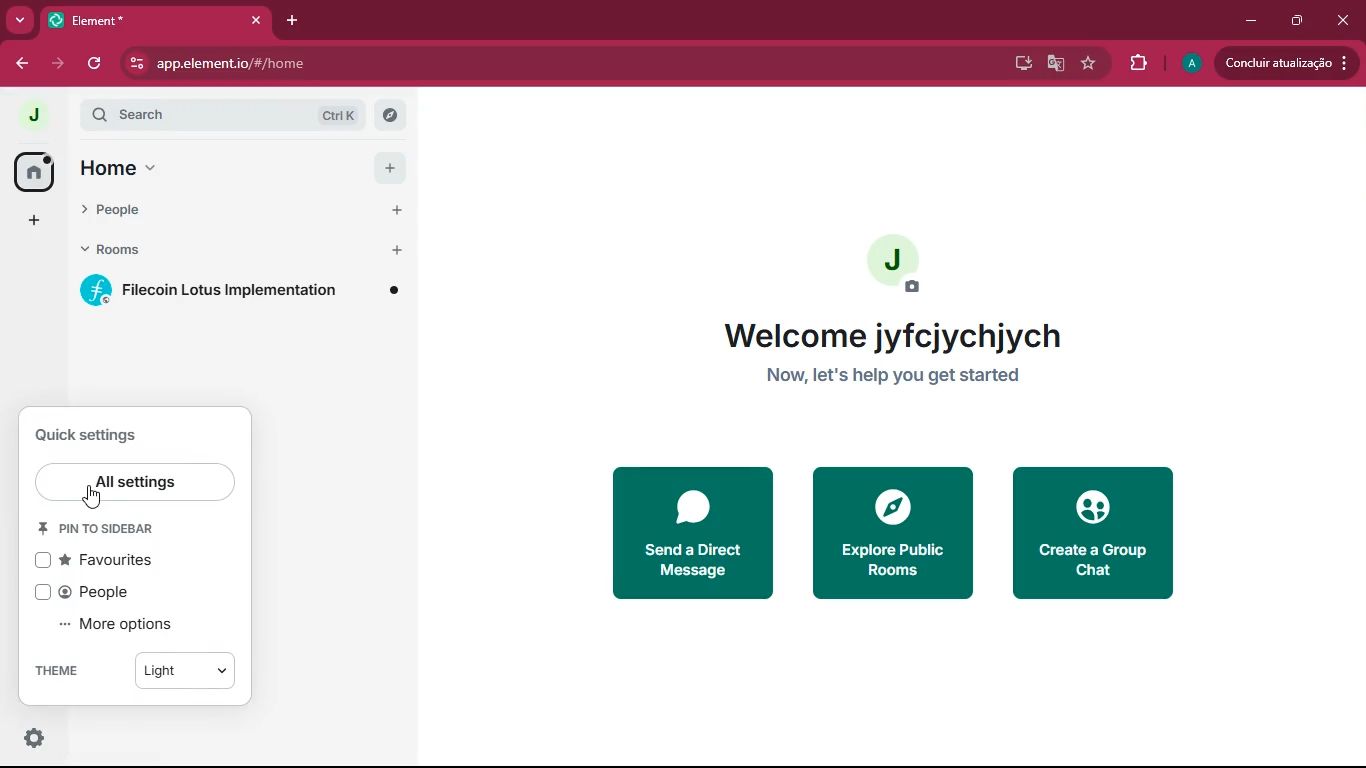 The image size is (1366, 768). Describe the element at coordinates (1135, 64) in the screenshot. I see `extensions` at that location.